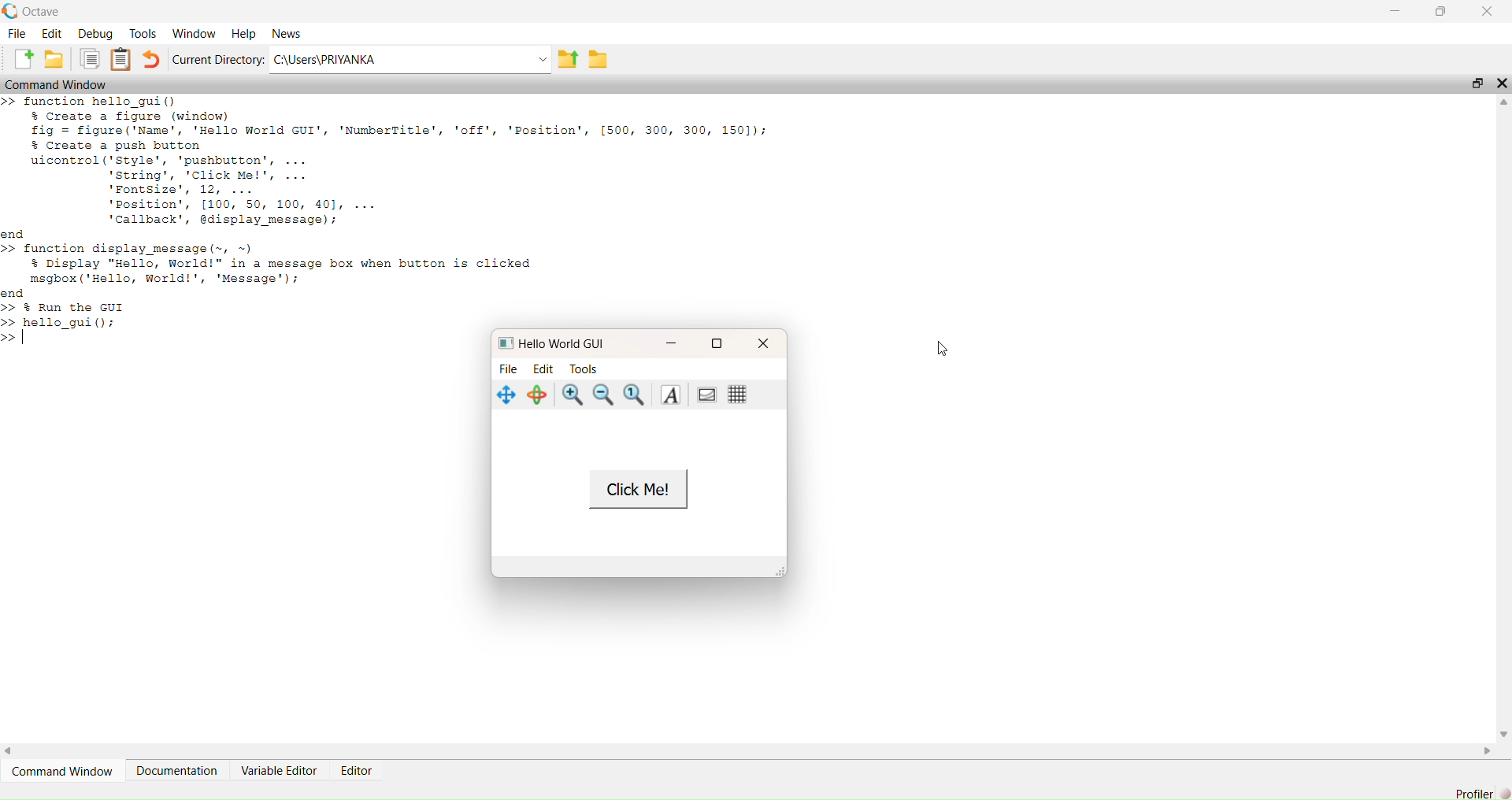 This screenshot has height=800, width=1512. Describe the element at coordinates (669, 342) in the screenshot. I see `minimise` at that location.